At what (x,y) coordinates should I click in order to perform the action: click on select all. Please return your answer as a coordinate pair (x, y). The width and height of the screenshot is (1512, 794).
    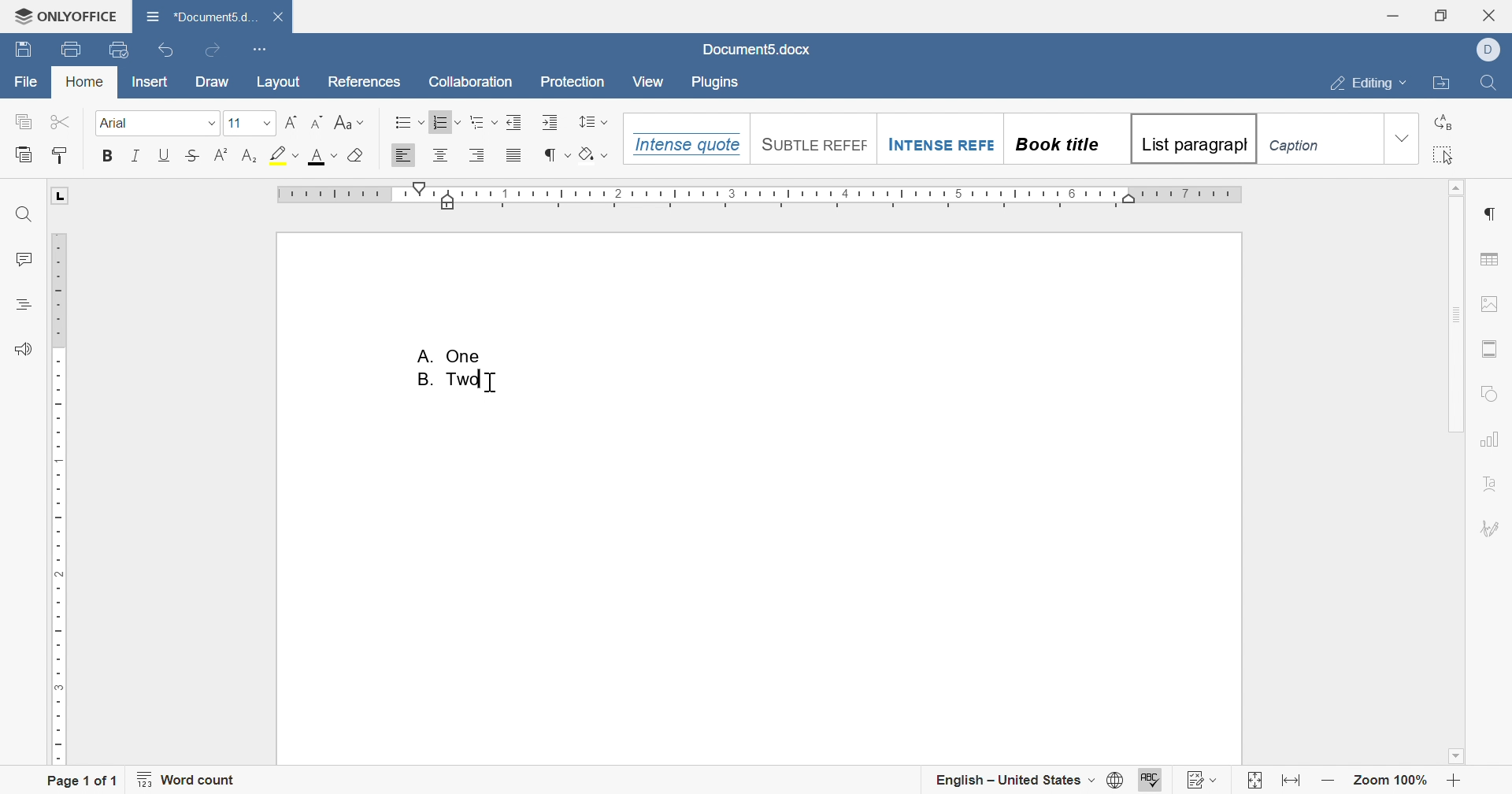
    Looking at the image, I should click on (1444, 154).